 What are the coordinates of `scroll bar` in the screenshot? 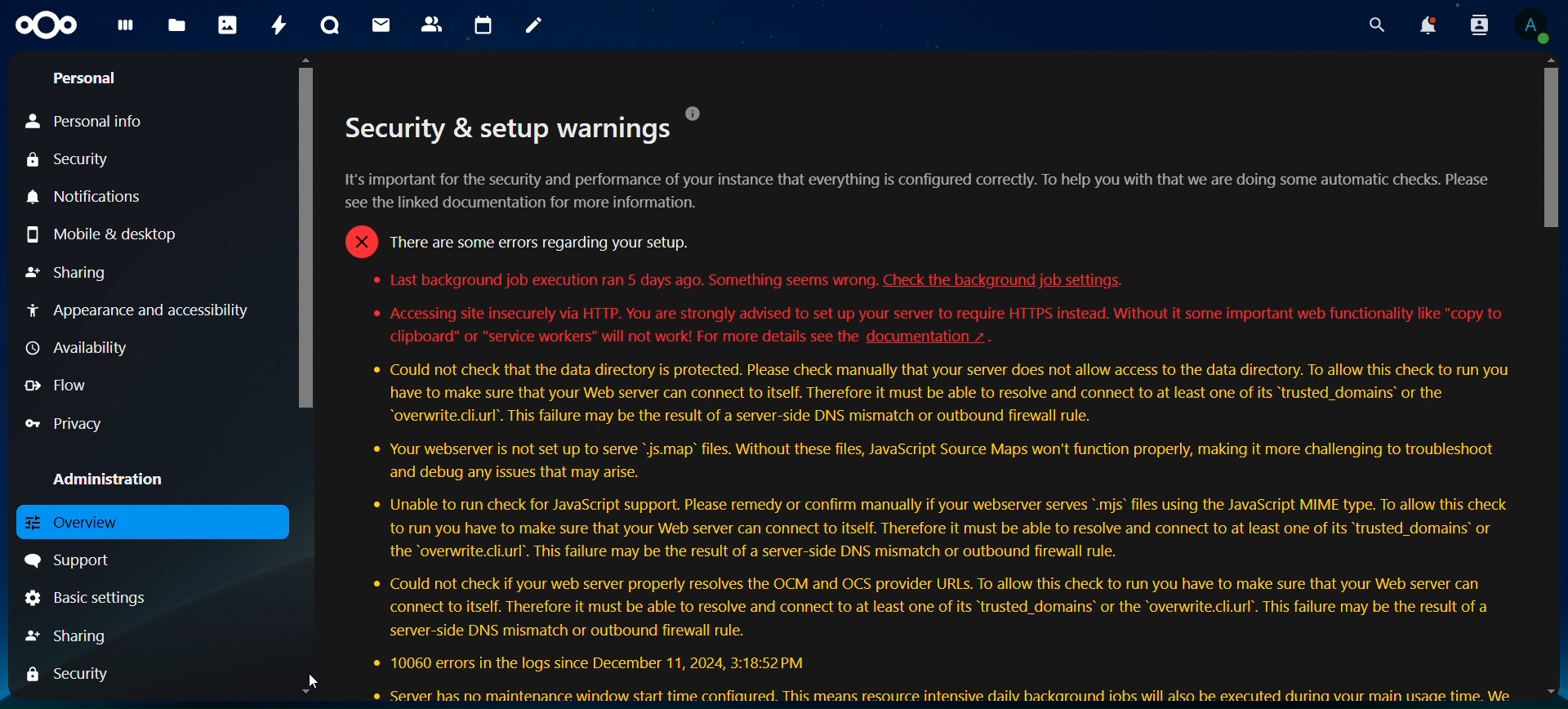 It's located at (305, 240).